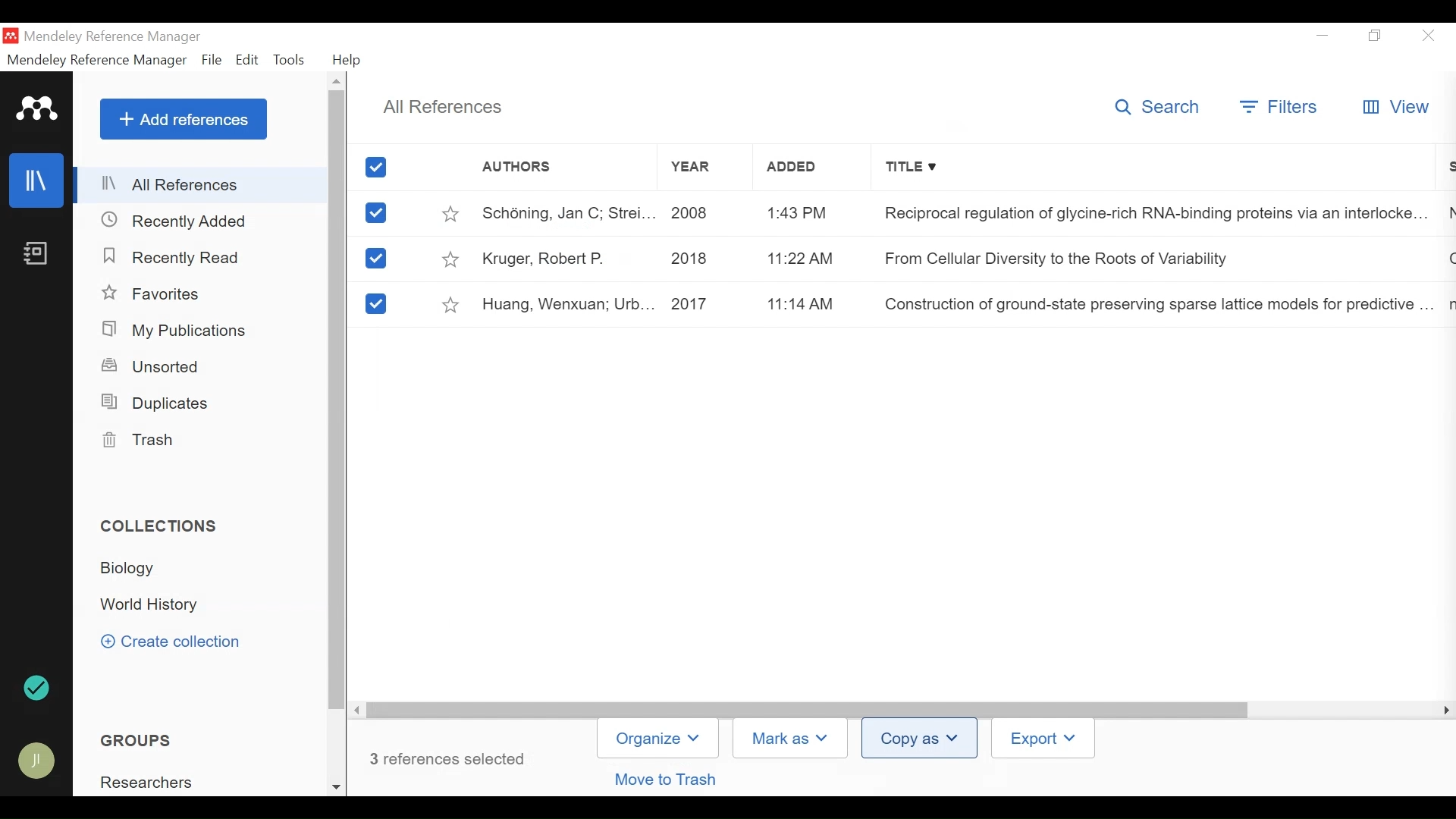 The height and width of the screenshot is (819, 1456). What do you see at coordinates (165, 528) in the screenshot?
I see `Collection` at bounding box center [165, 528].